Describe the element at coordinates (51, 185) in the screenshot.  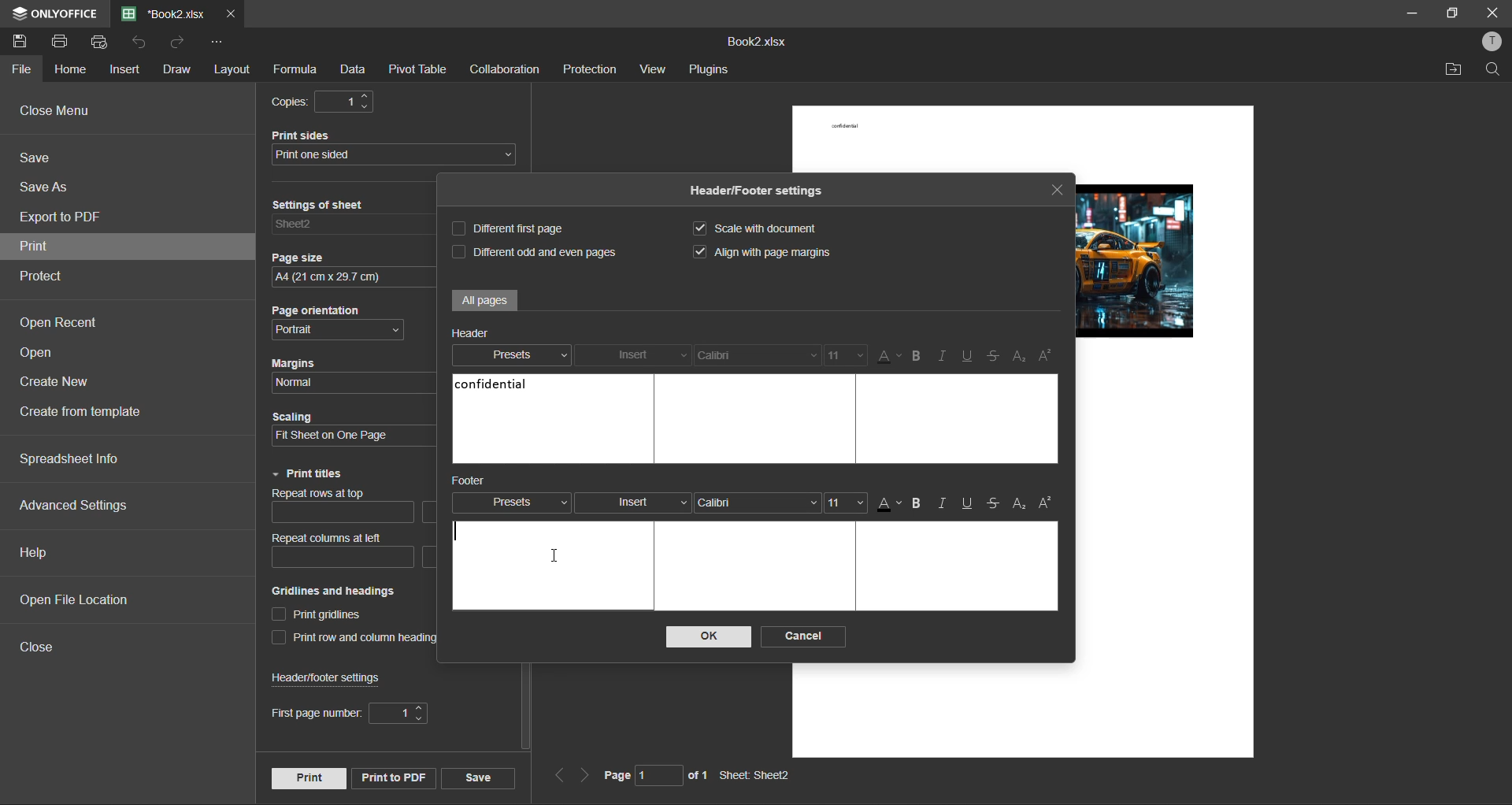
I see `save as ` at that location.